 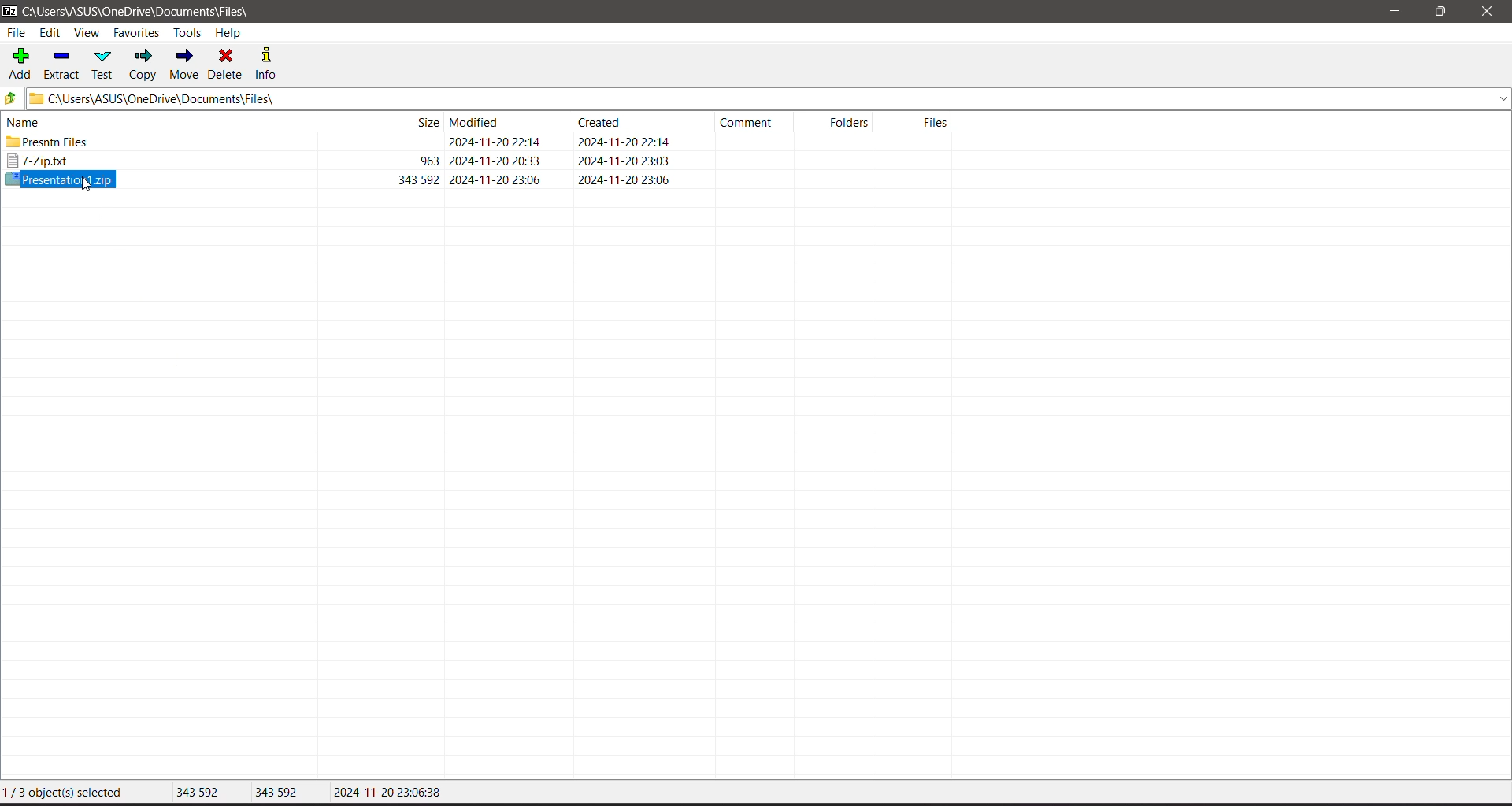 What do you see at coordinates (148, 12) in the screenshot?
I see `Current Folder Path` at bounding box center [148, 12].